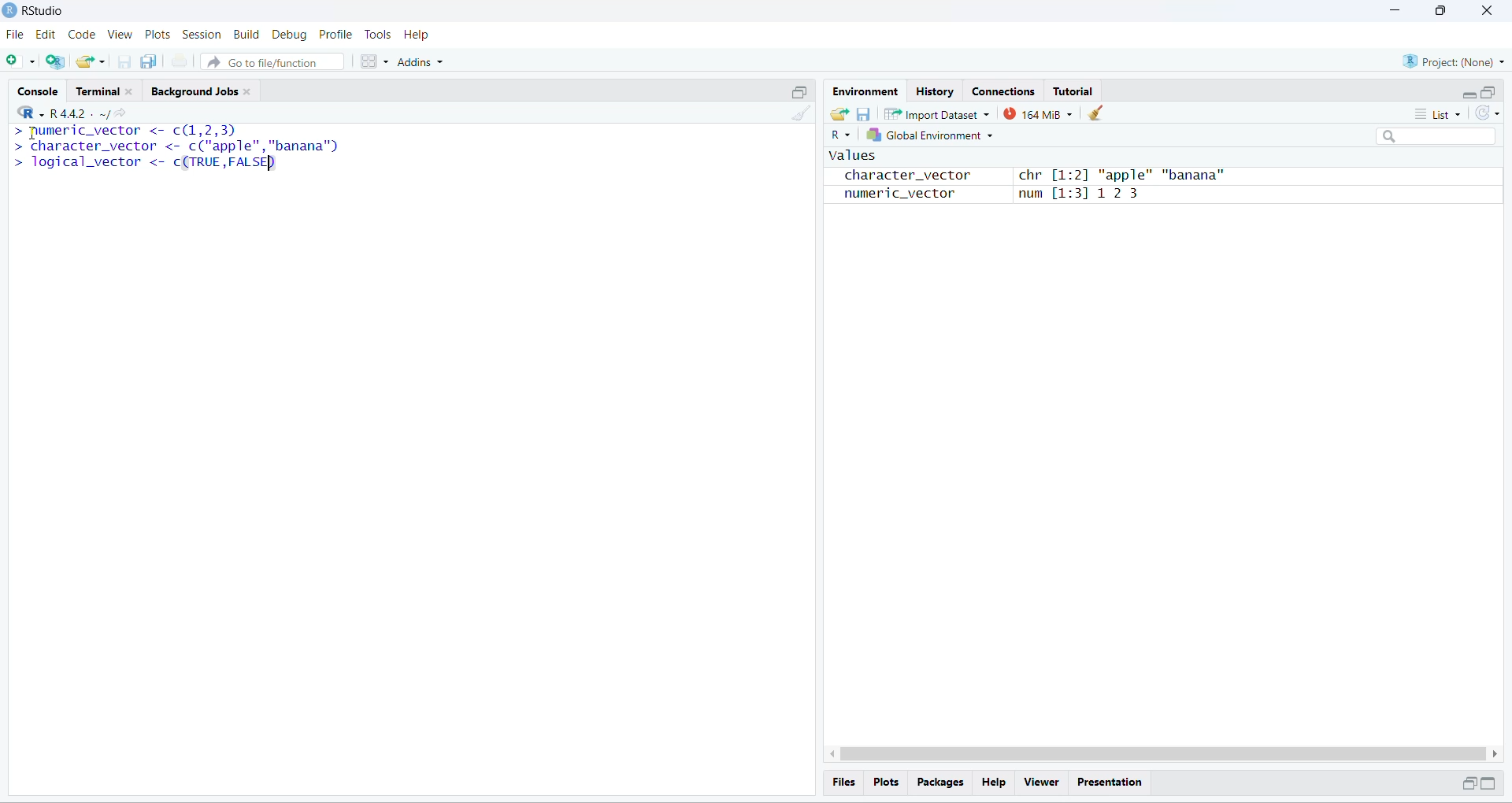  I want to click on Environment., so click(864, 91).